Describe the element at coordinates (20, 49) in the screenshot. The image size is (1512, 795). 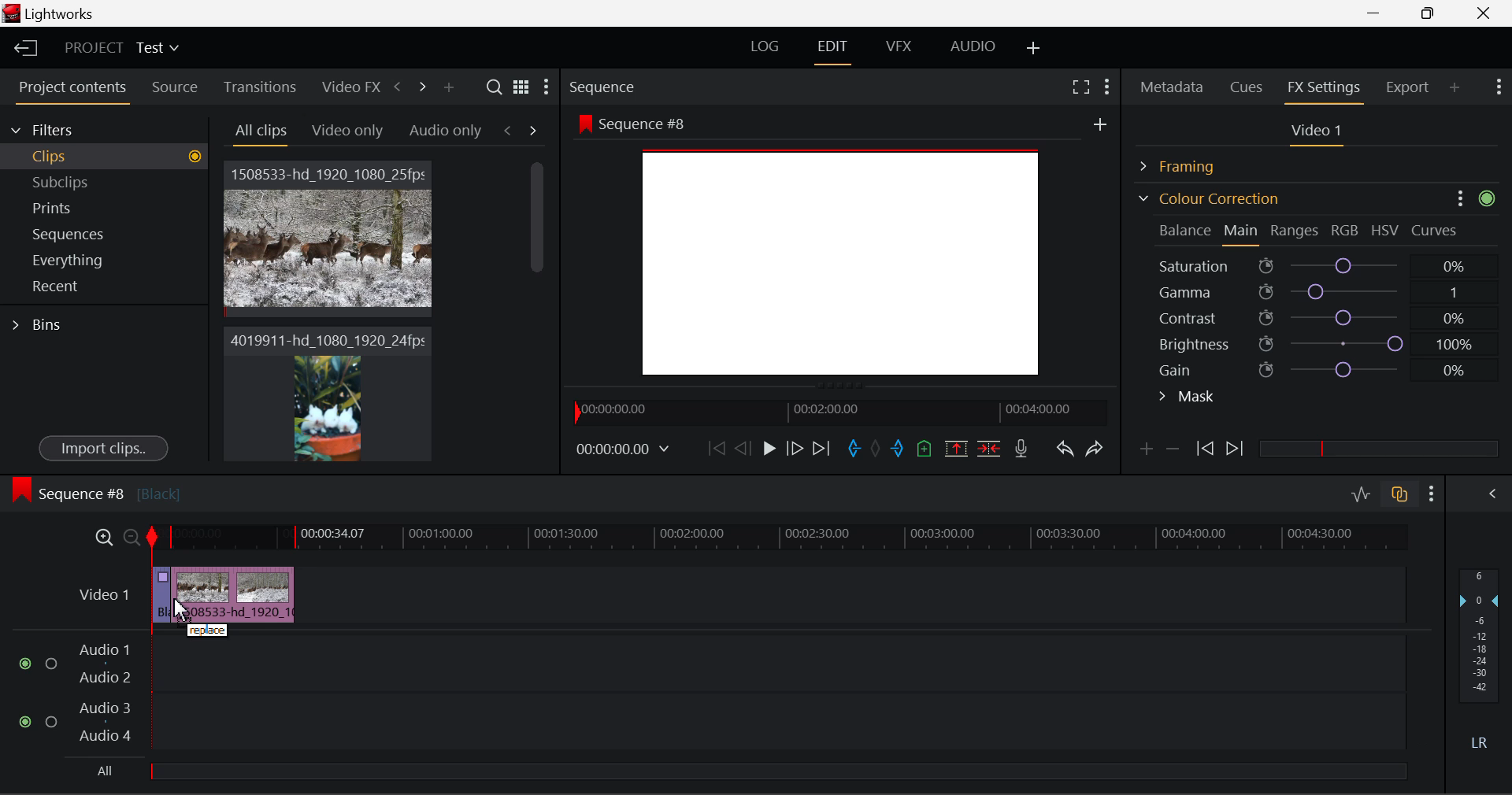
I see `Back to Homepage` at that location.